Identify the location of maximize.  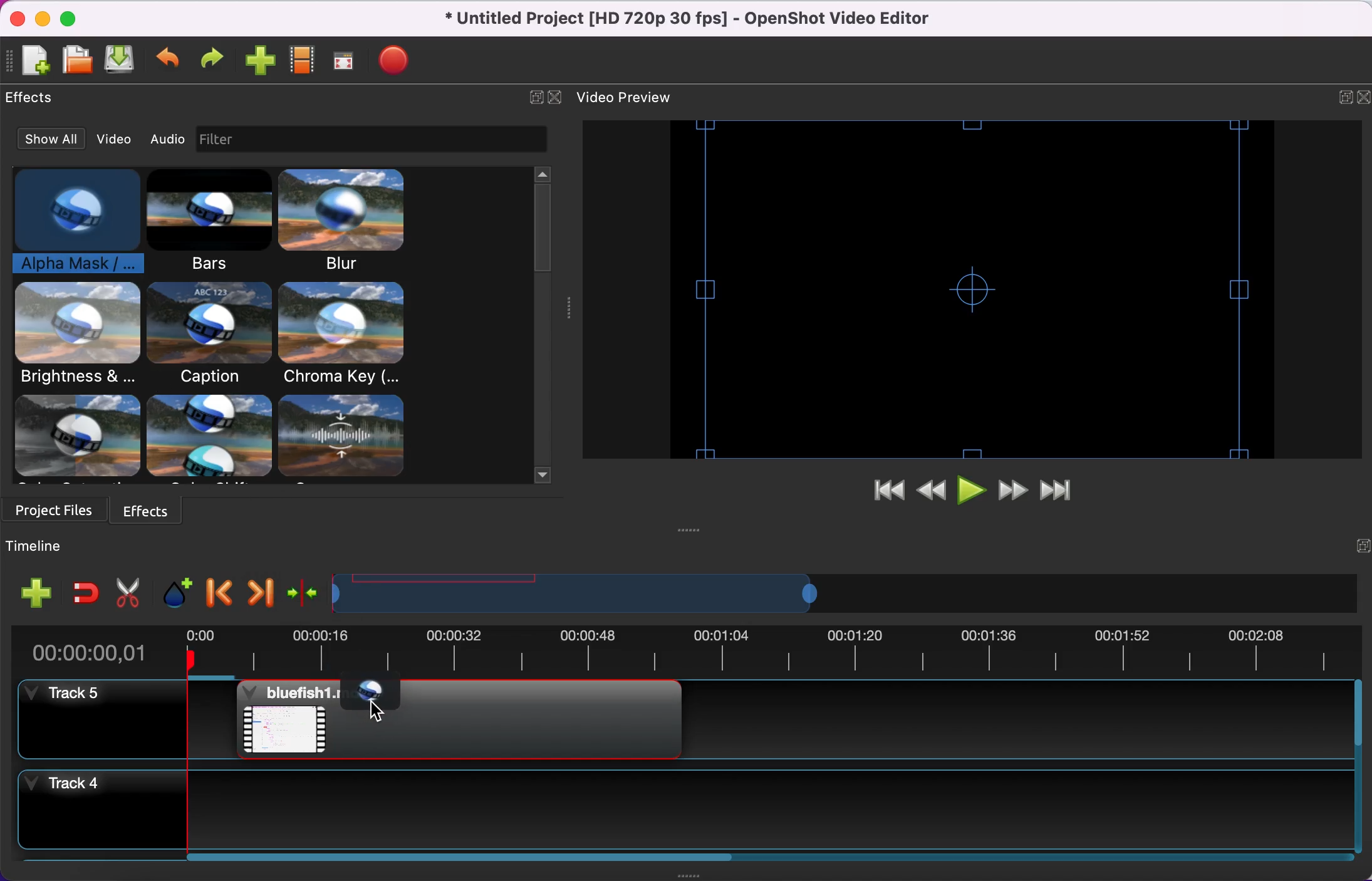
(71, 18).